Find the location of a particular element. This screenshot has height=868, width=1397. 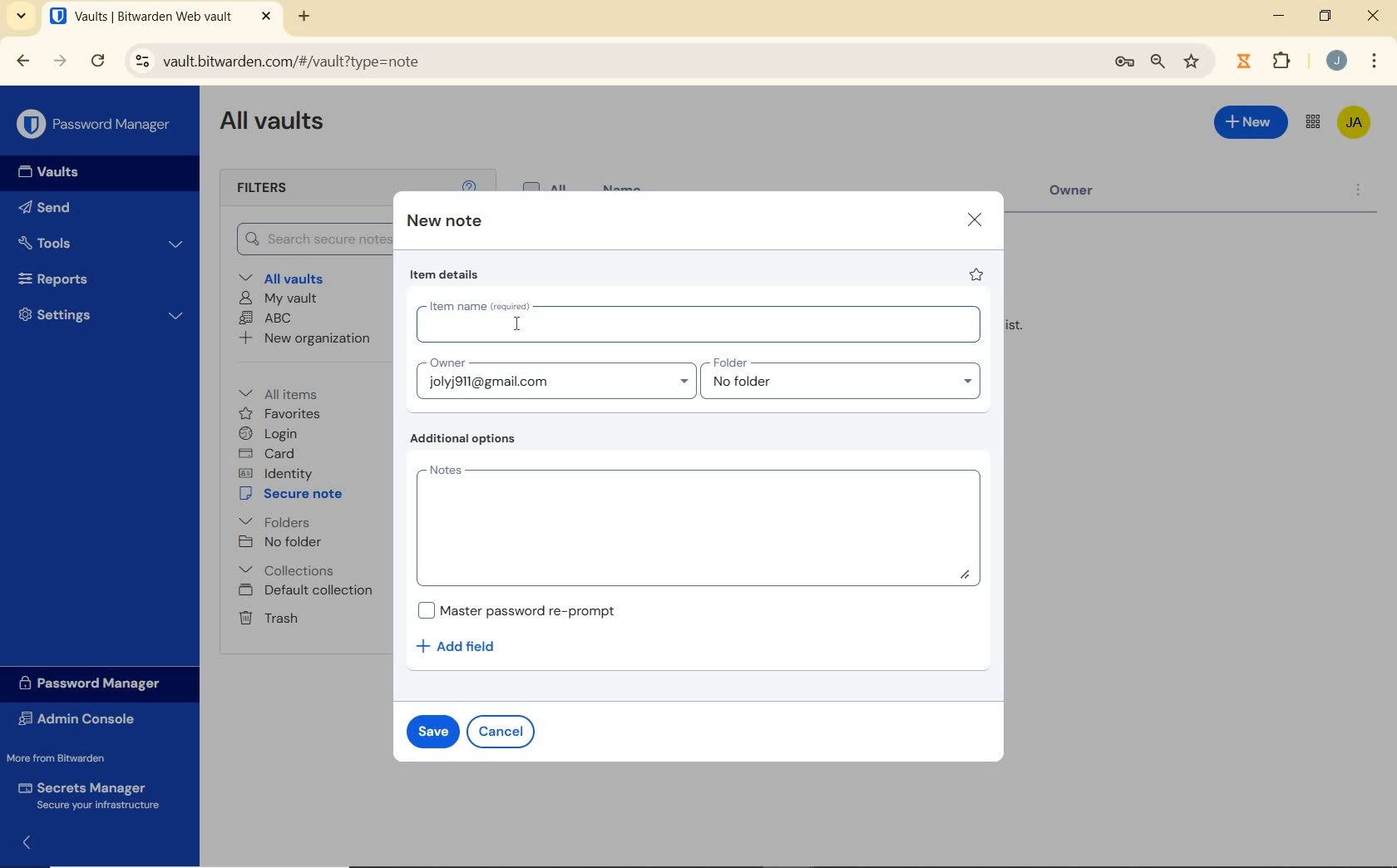

Password Manager is located at coordinates (97, 684).